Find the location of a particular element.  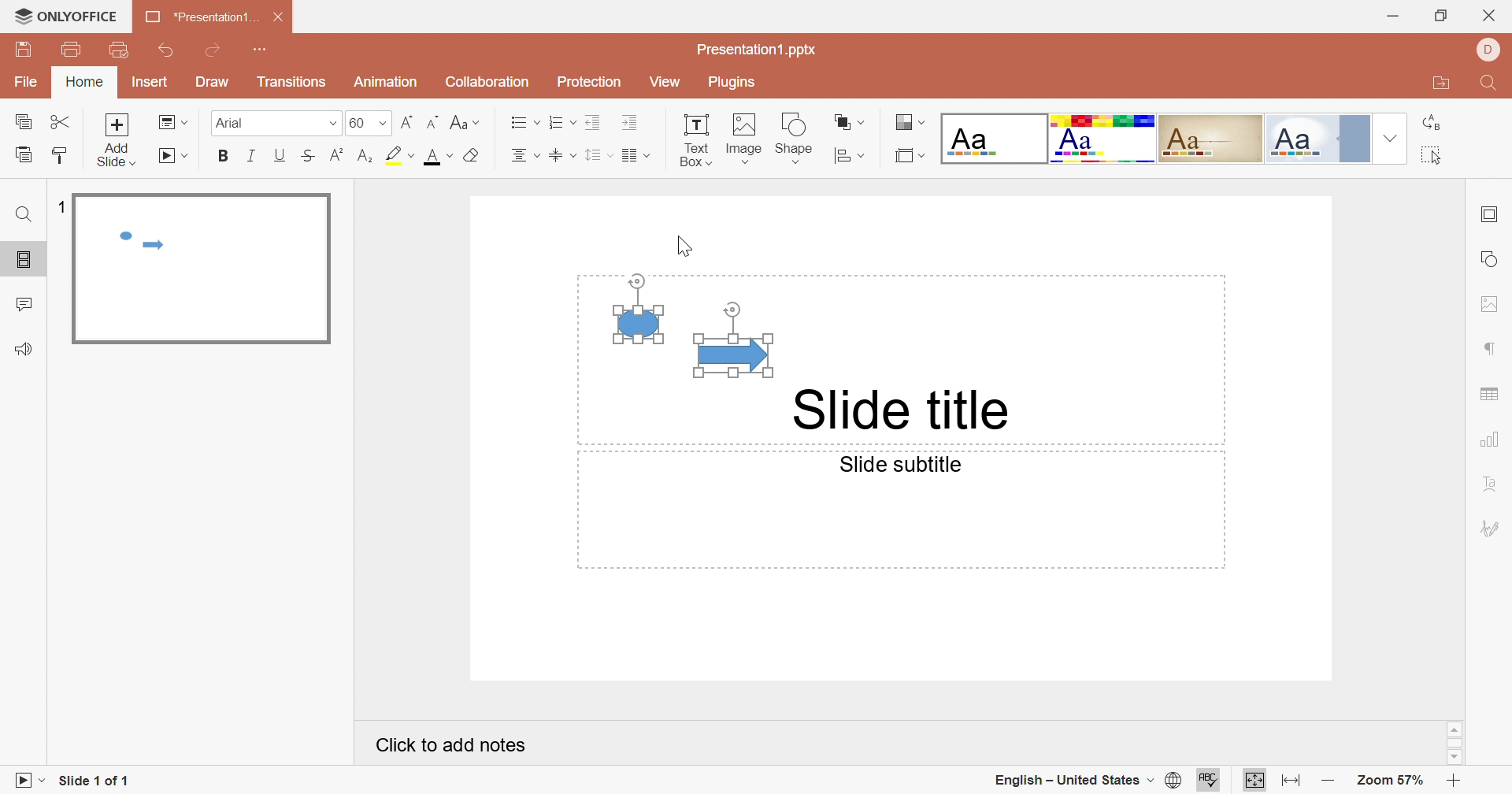

View is located at coordinates (667, 81).